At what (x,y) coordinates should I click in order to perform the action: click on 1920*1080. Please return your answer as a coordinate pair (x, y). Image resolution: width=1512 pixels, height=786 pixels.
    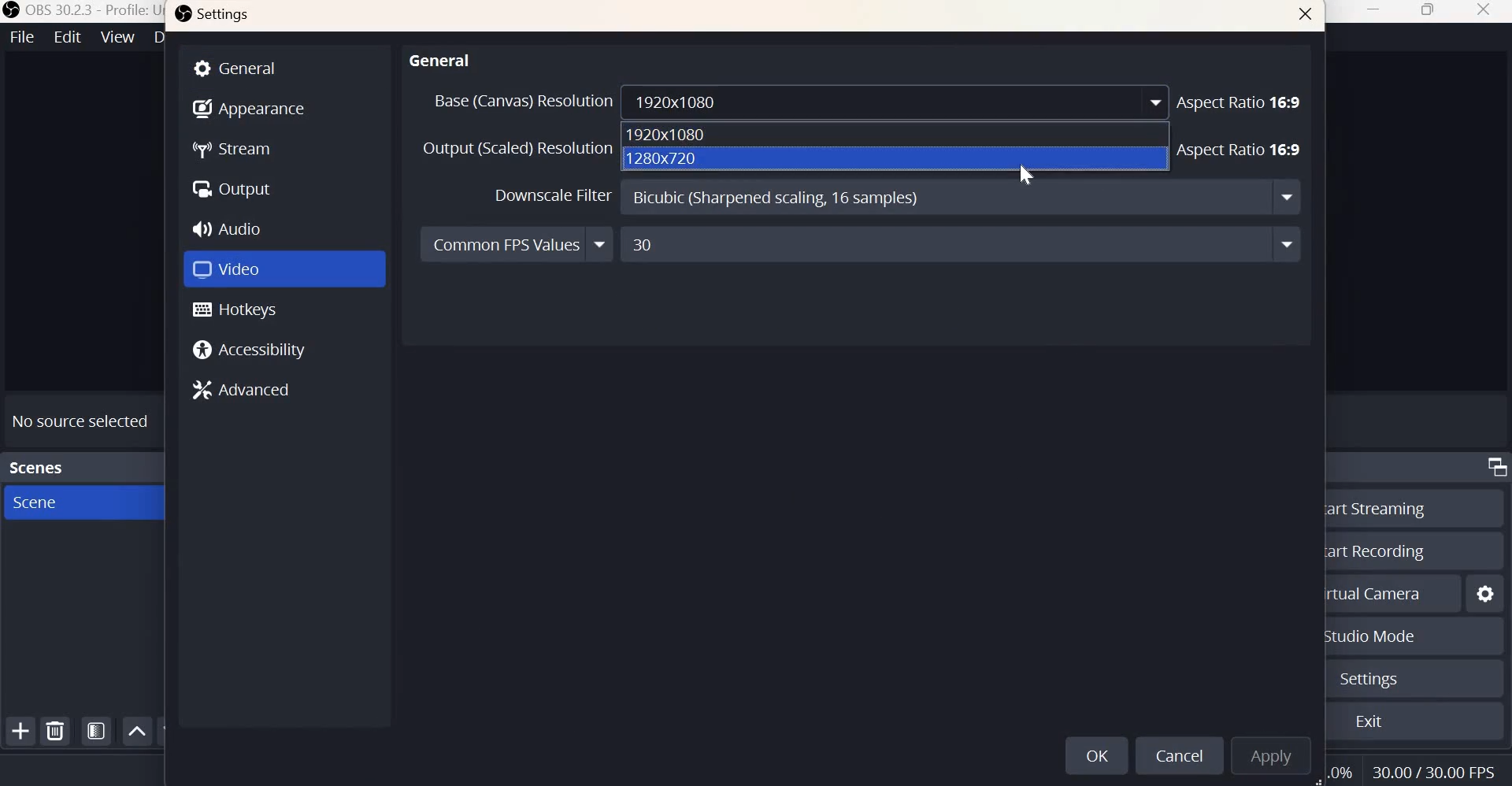
    Looking at the image, I should click on (668, 135).